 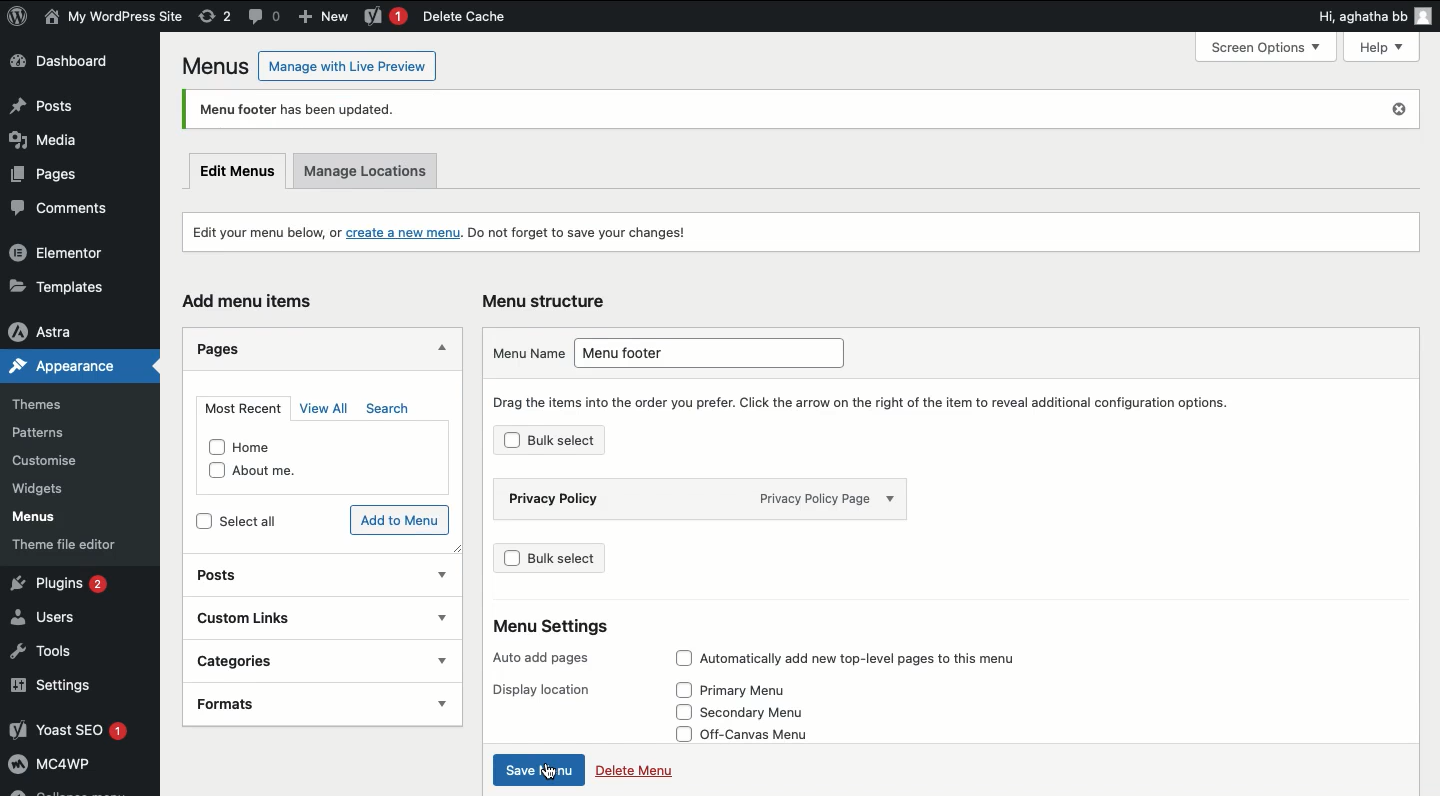 What do you see at coordinates (675, 689) in the screenshot?
I see `checkbox` at bounding box center [675, 689].